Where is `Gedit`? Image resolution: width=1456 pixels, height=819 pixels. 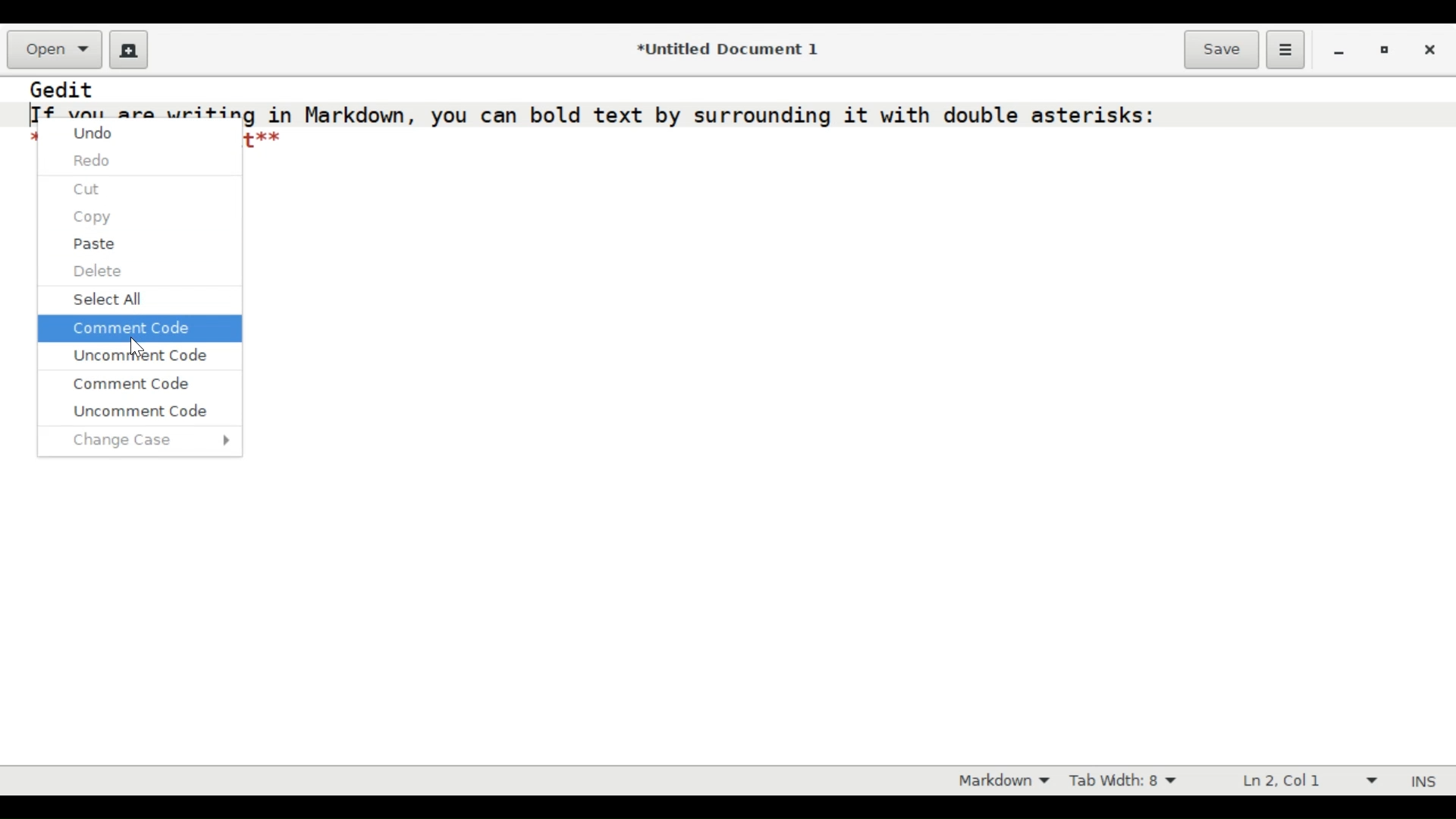
Gedit is located at coordinates (63, 89).